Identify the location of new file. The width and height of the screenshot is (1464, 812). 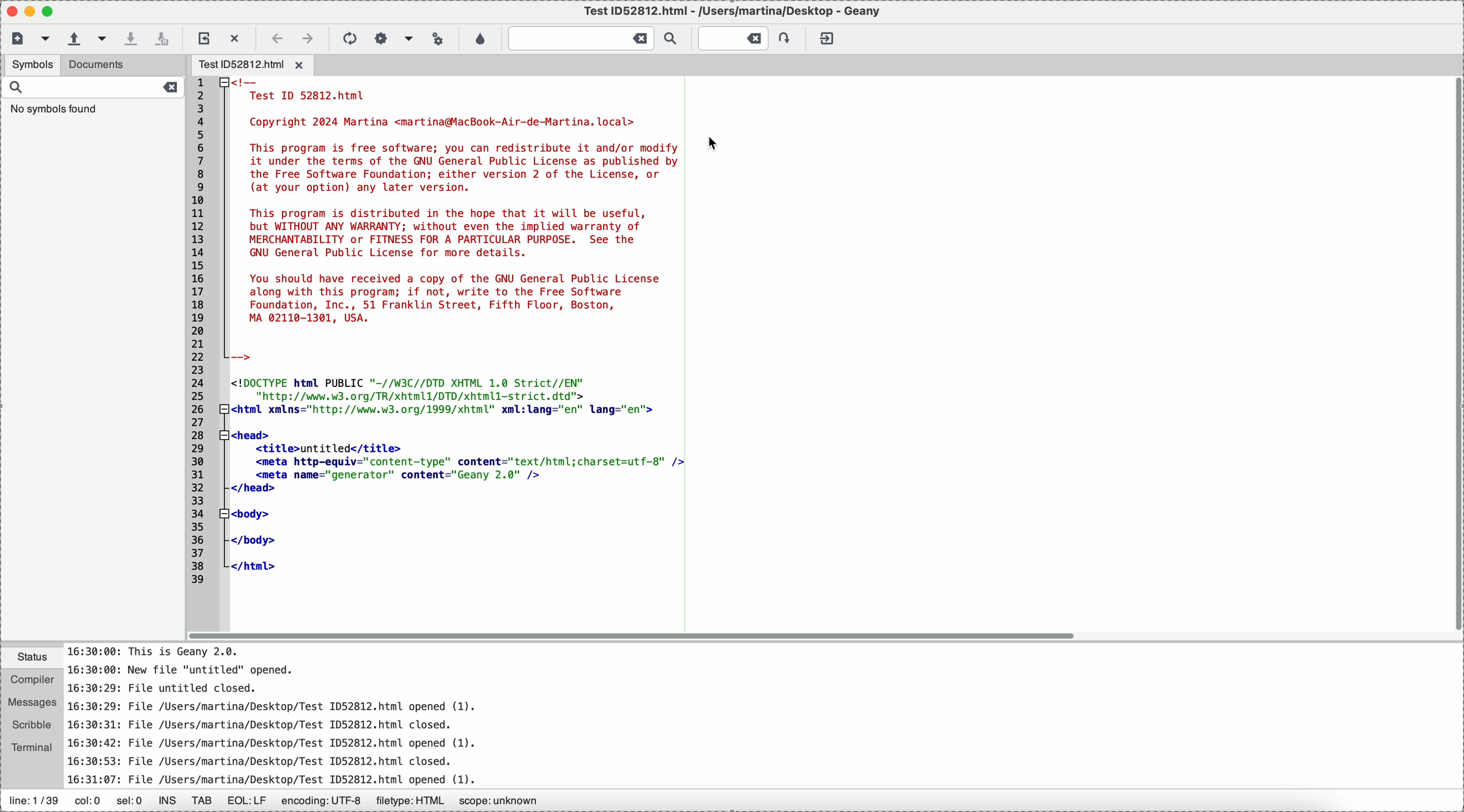
(15, 39).